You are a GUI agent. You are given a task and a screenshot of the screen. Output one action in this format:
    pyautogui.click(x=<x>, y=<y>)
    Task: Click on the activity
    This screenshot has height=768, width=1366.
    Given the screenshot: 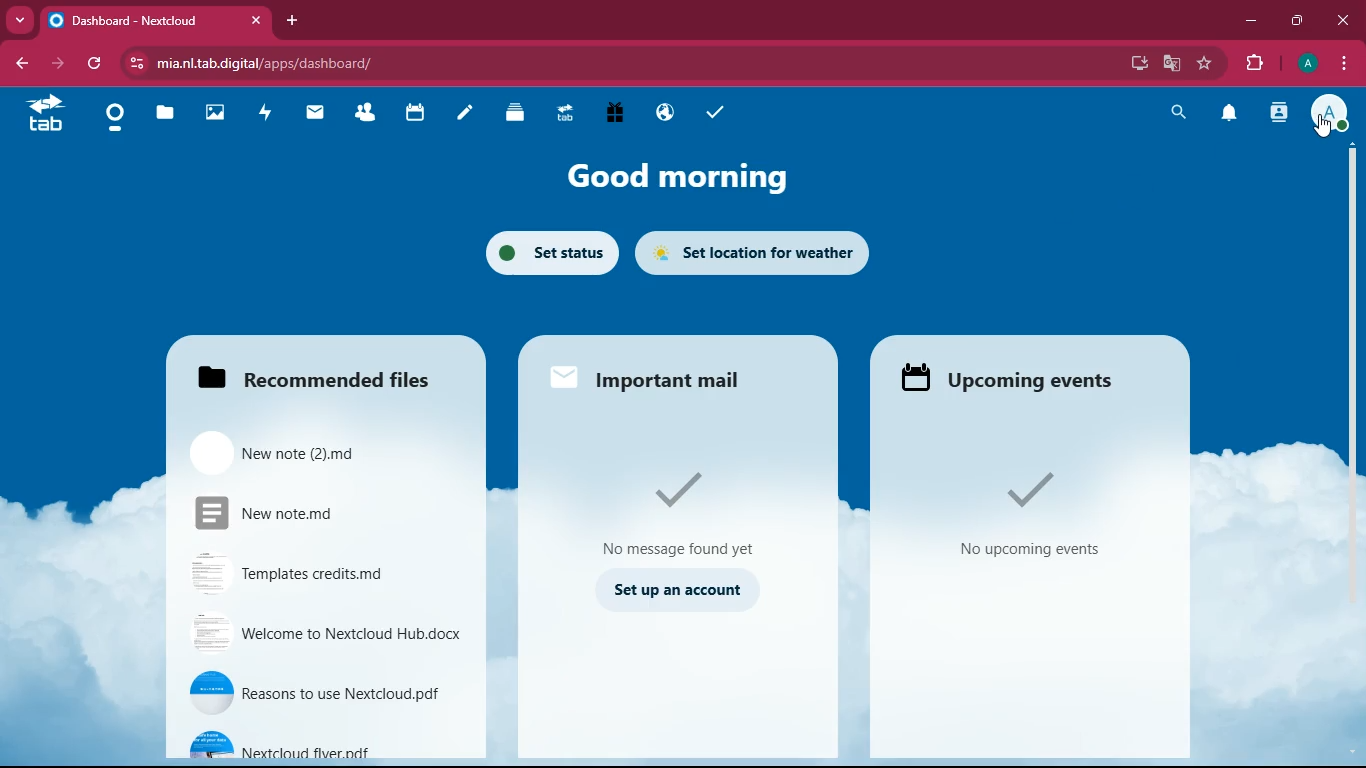 What is the action you would take?
    pyautogui.click(x=266, y=115)
    